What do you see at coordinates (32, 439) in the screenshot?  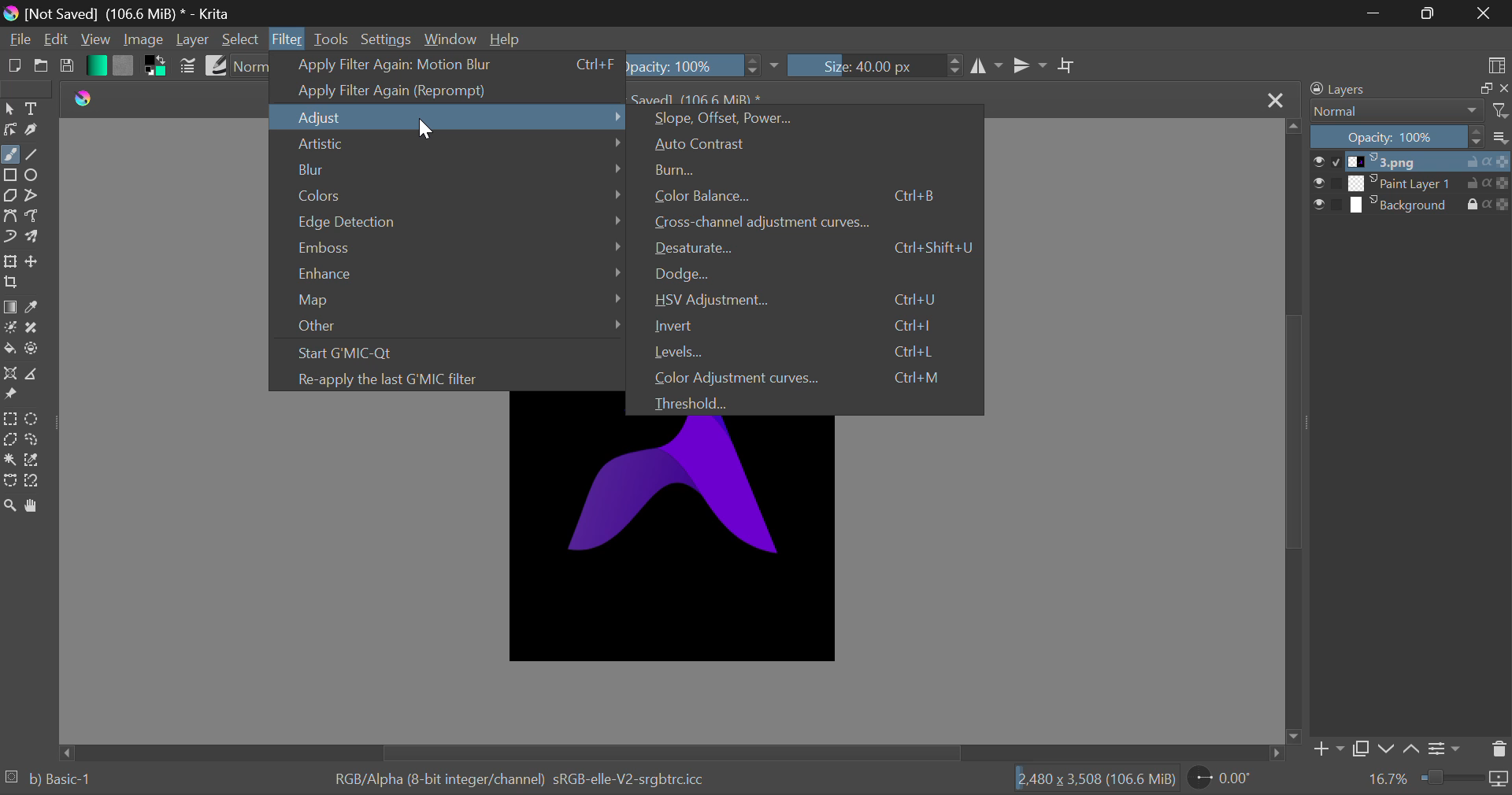 I see `Freehand Selection` at bounding box center [32, 439].